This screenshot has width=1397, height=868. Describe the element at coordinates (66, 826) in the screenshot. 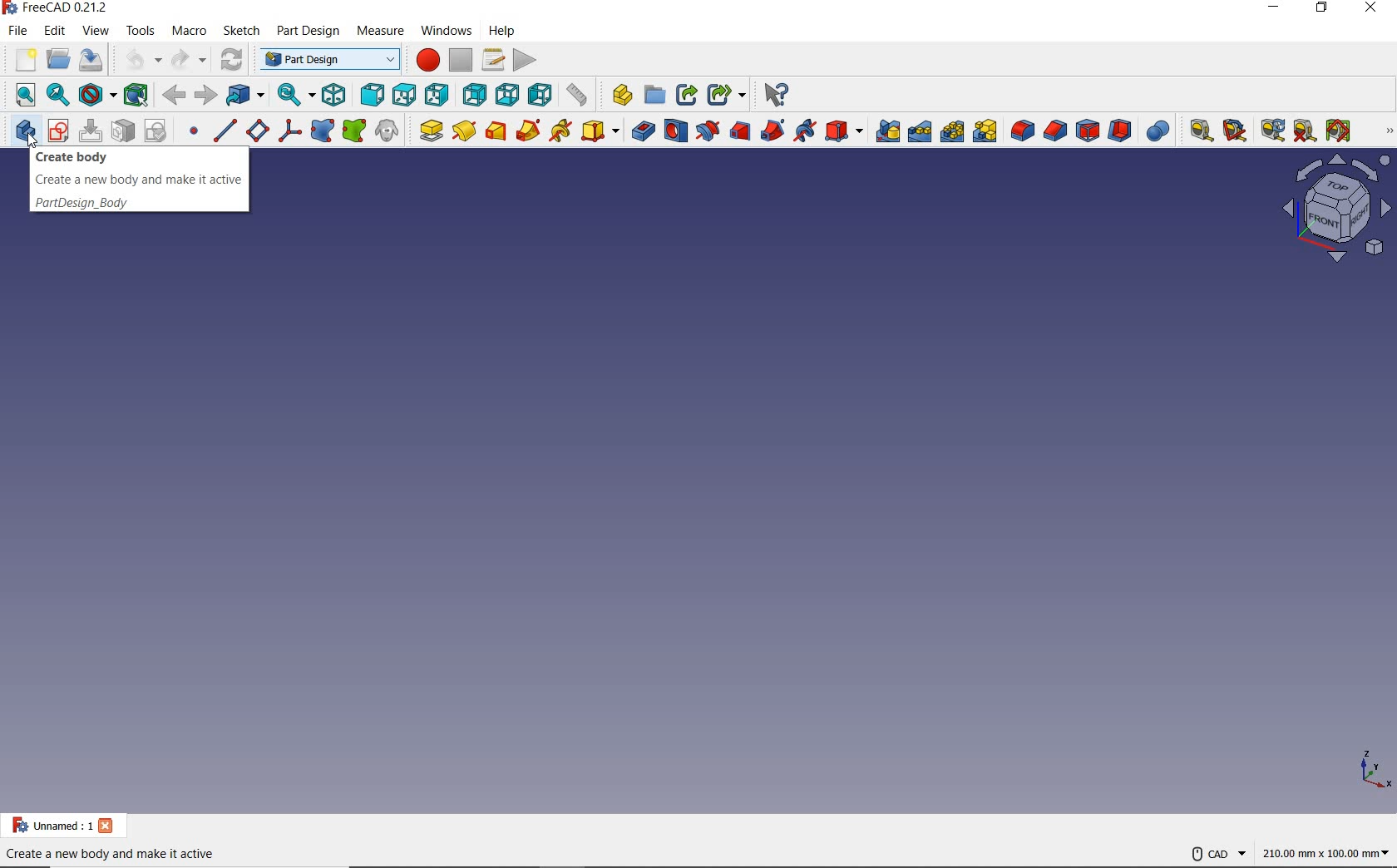

I see `PROJECT NAME` at that location.